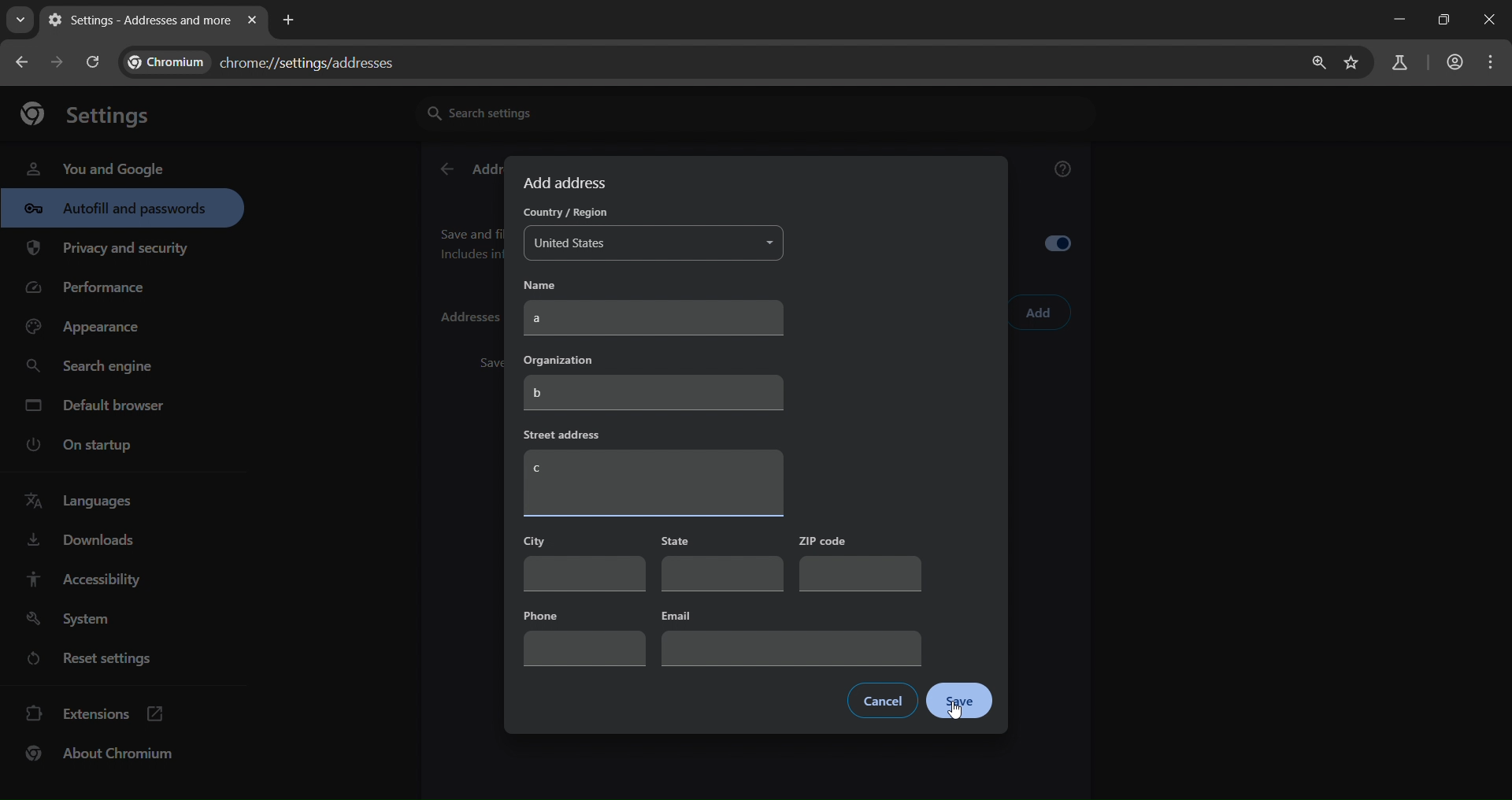 This screenshot has width=1512, height=800. Describe the element at coordinates (1441, 20) in the screenshot. I see `restore down` at that location.